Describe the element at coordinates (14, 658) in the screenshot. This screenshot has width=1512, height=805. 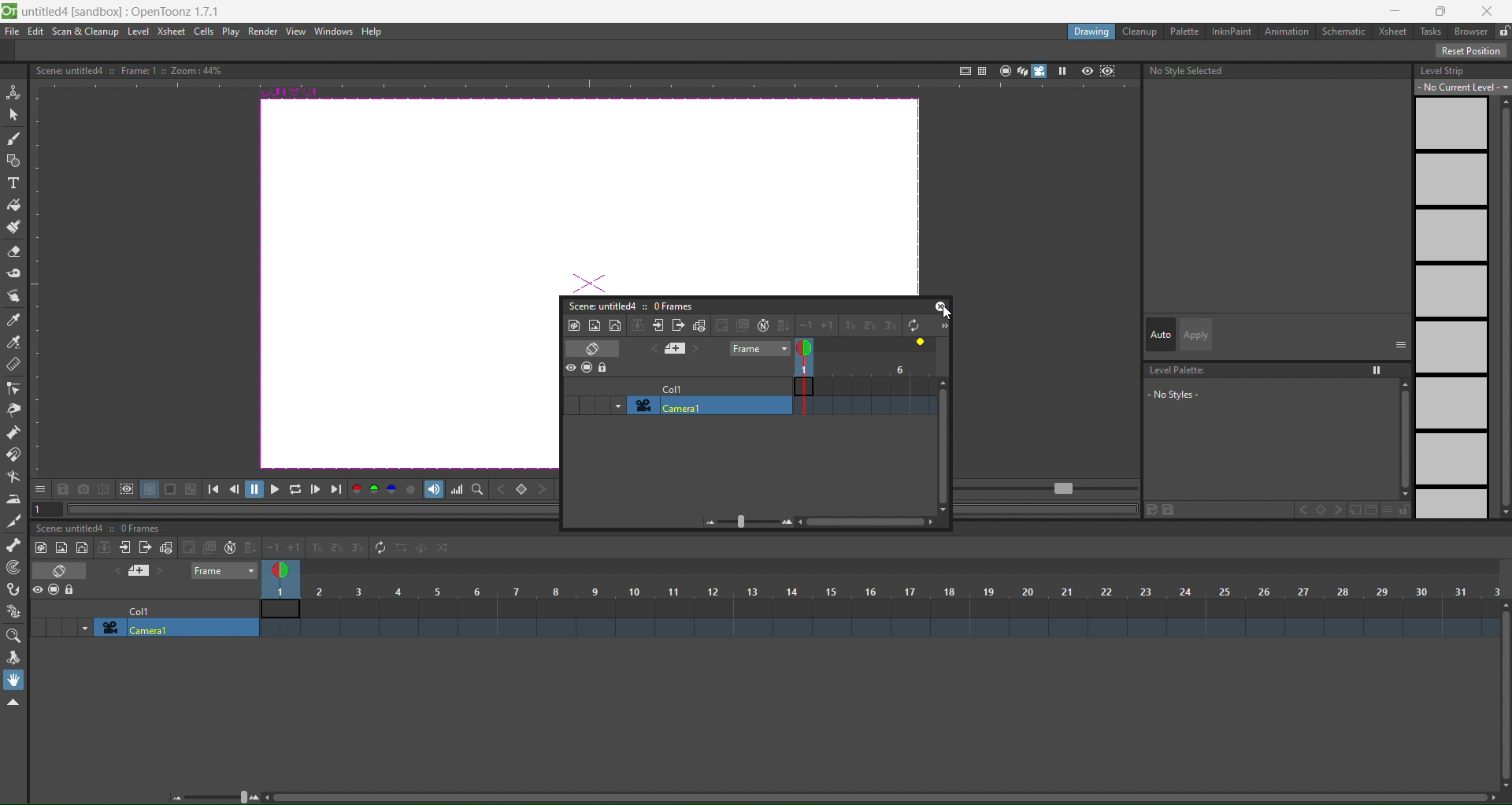
I see `` at that location.